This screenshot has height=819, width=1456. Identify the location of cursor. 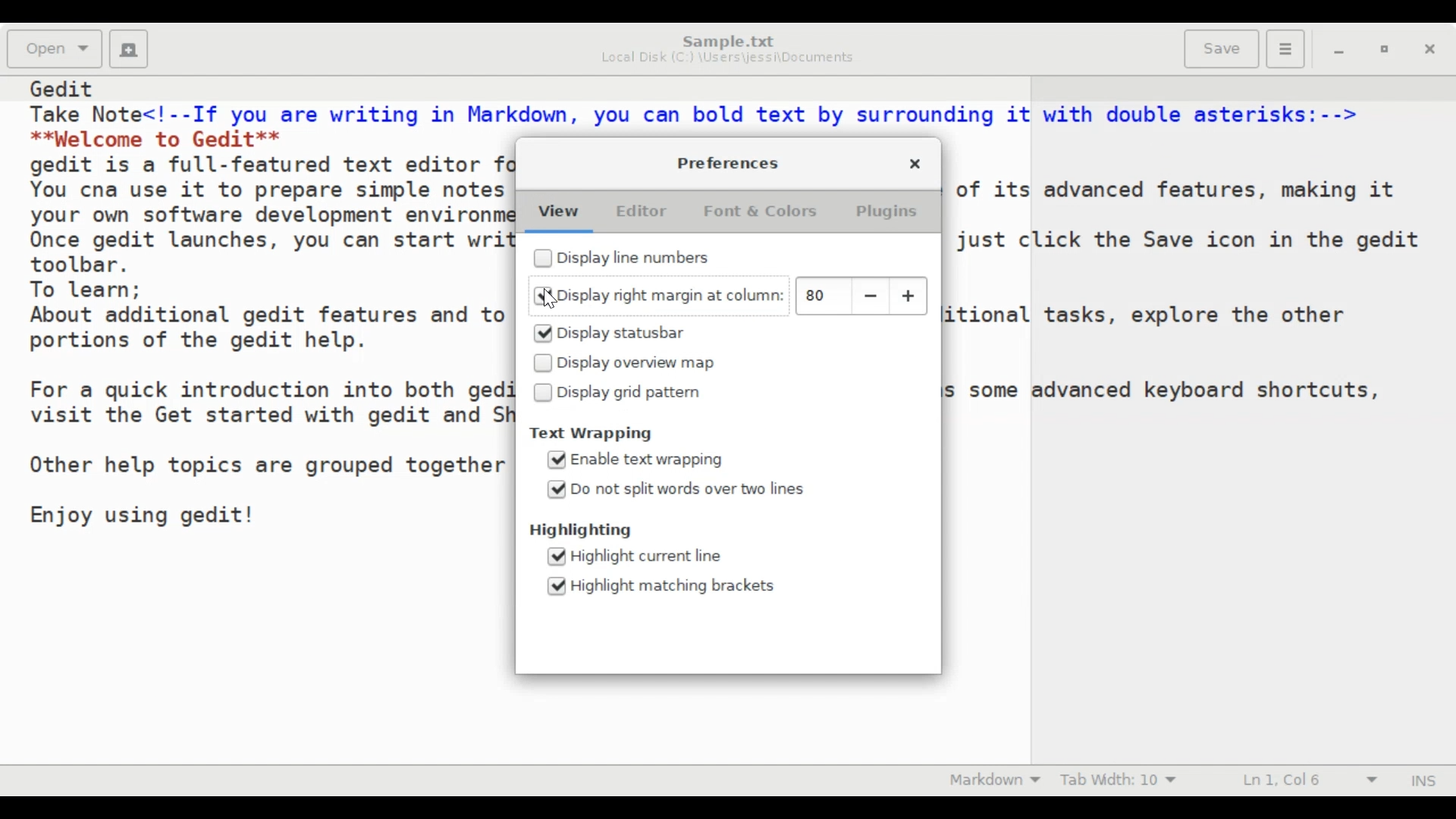
(552, 302).